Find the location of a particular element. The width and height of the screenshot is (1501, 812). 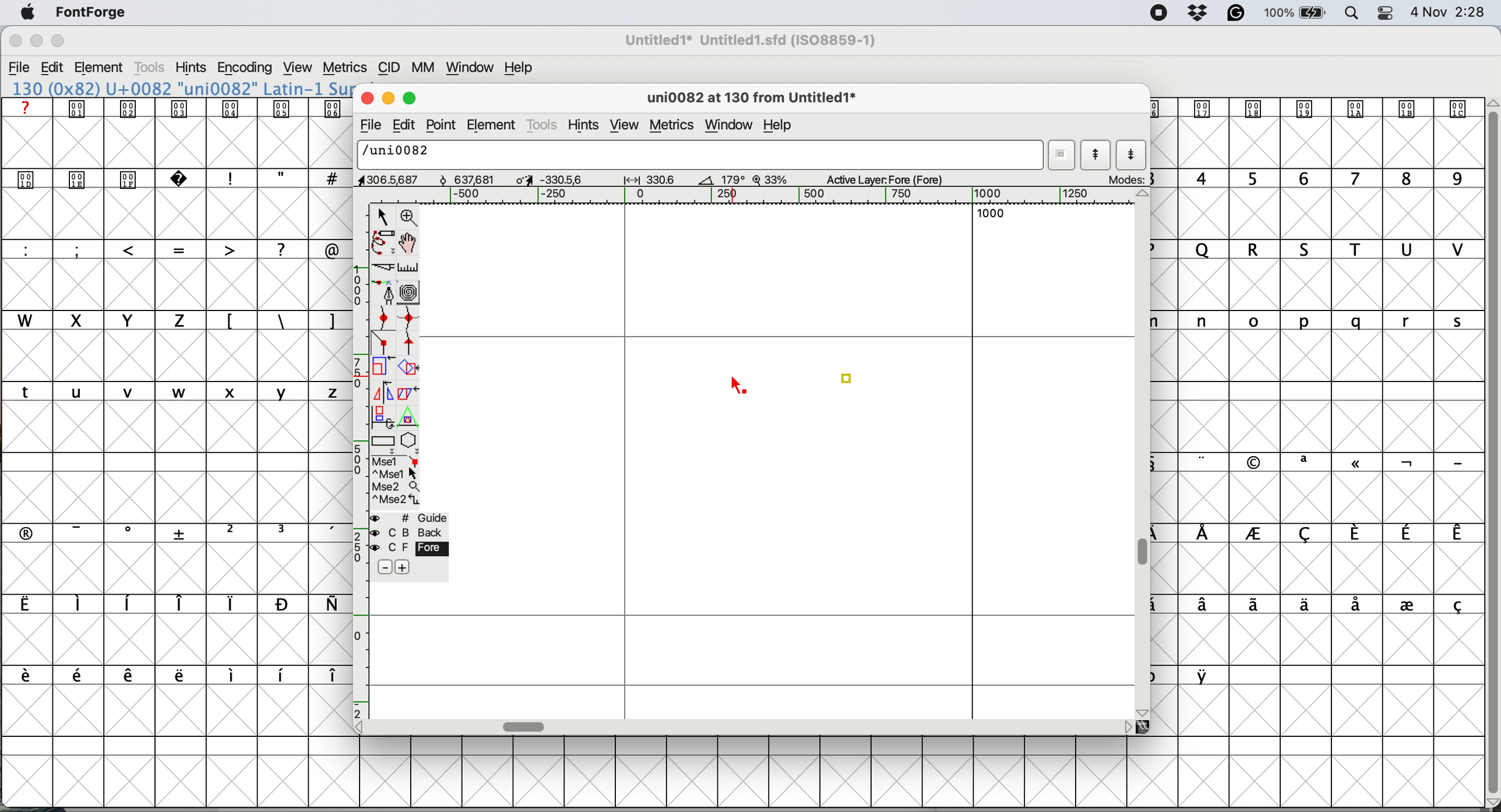

symbols is located at coordinates (1331, 463).